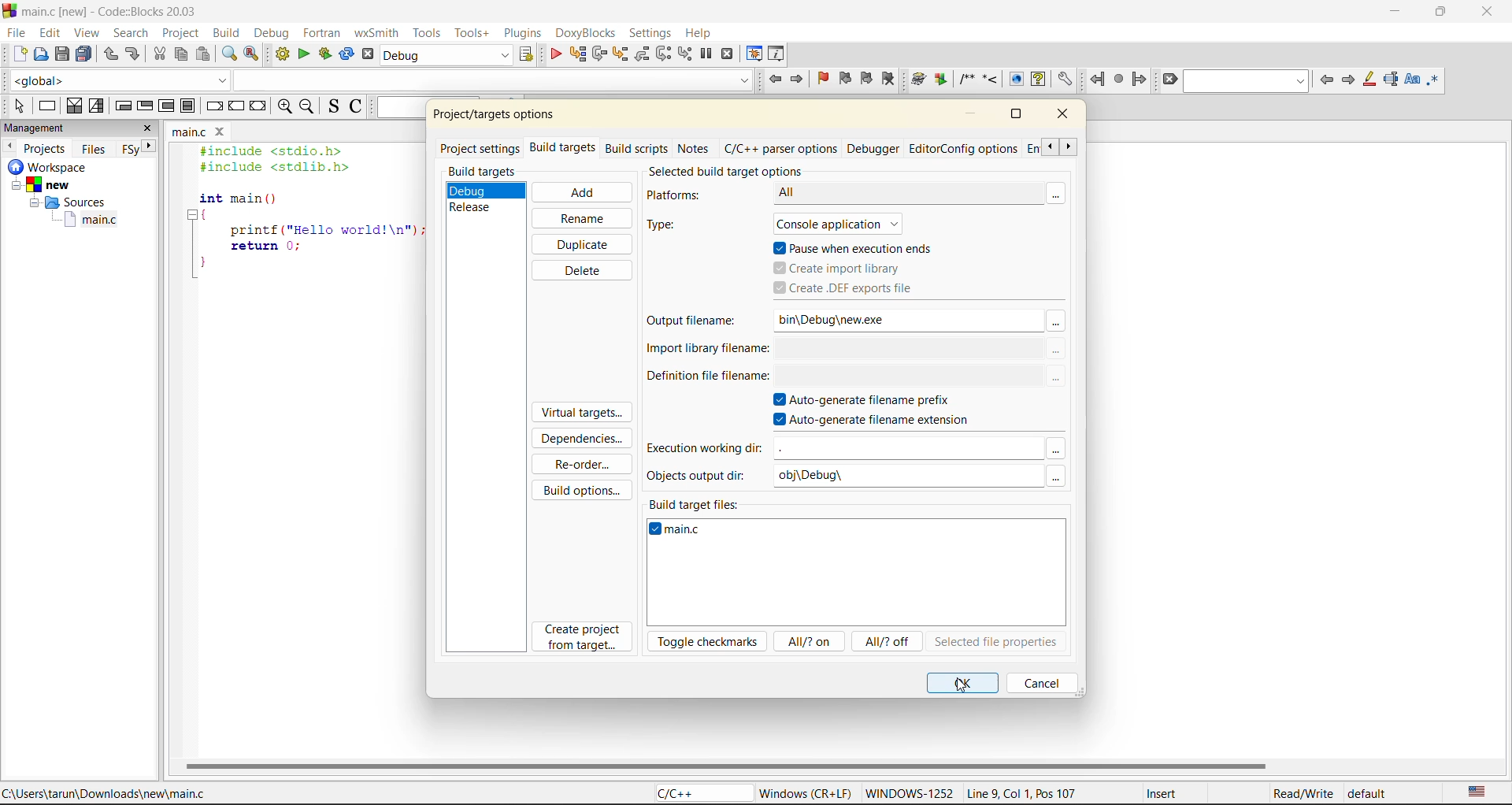  Describe the element at coordinates (126, 12) in the screenshot. I see `main.c [new] - Code::Blocks 20.03` at that location.